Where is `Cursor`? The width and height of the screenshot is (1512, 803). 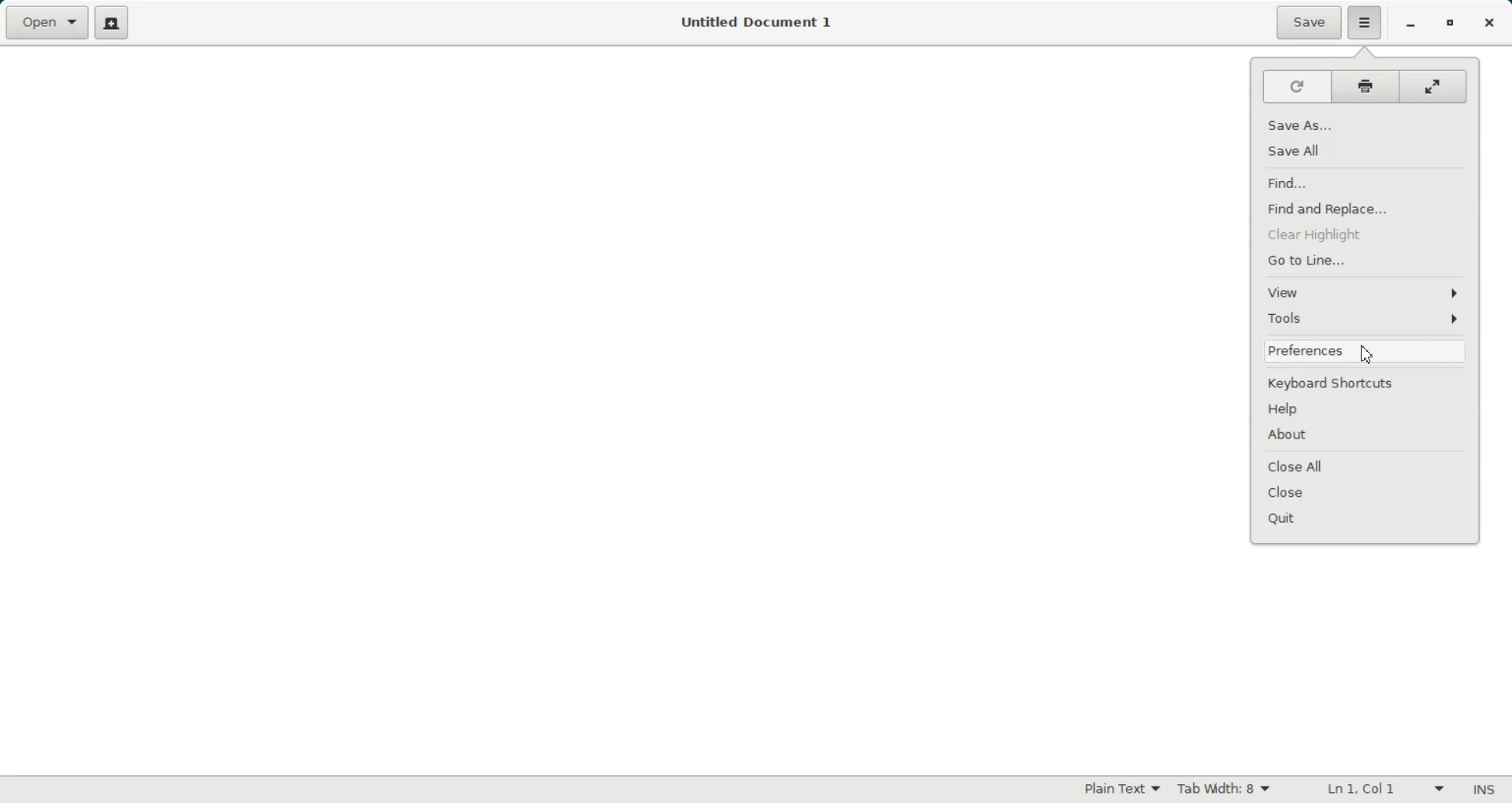 Cursor is located at coordinates (1369, 352).